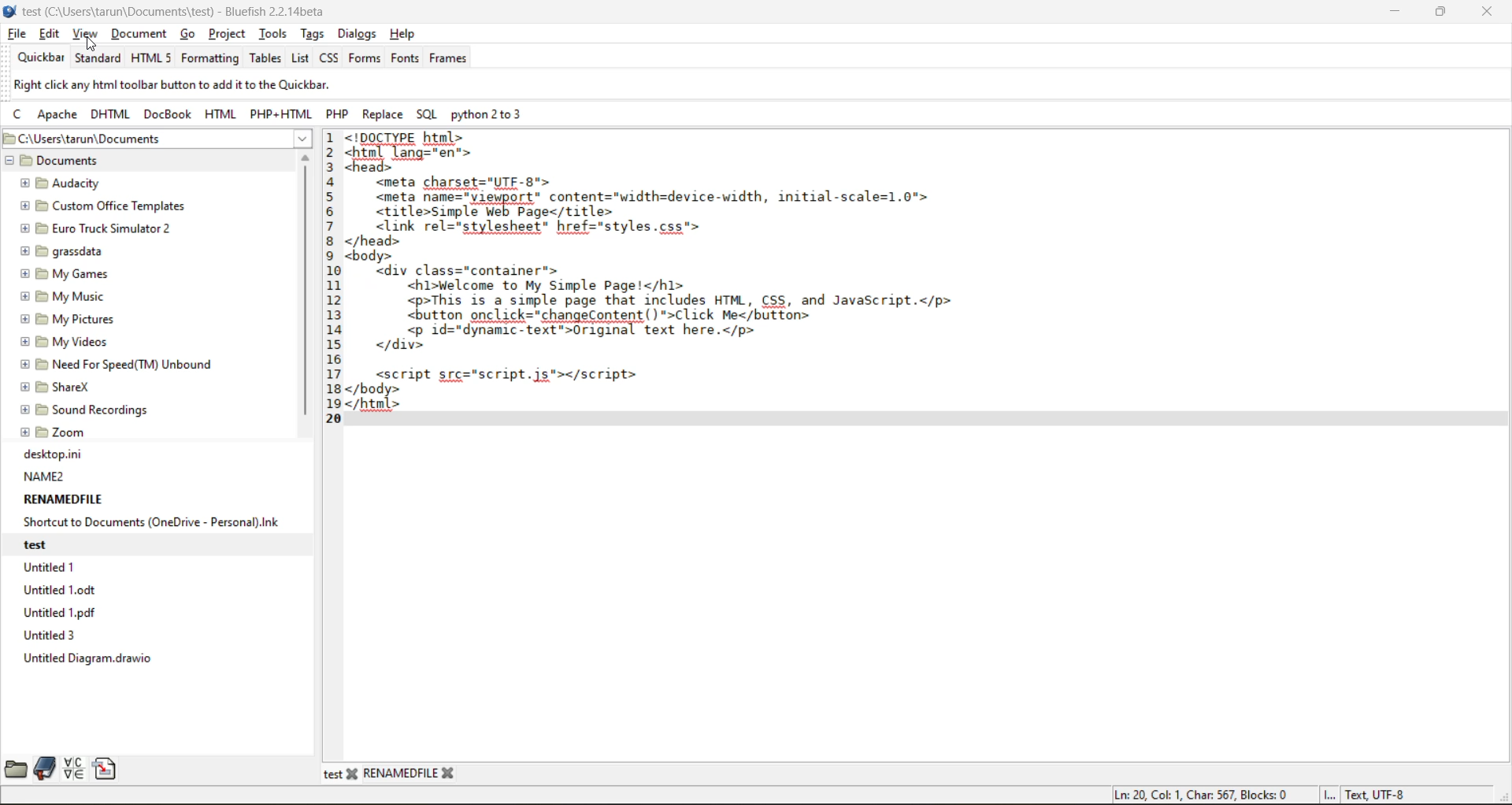 The image size is (1512, 805). I want to click on tools, so click(270, 35).